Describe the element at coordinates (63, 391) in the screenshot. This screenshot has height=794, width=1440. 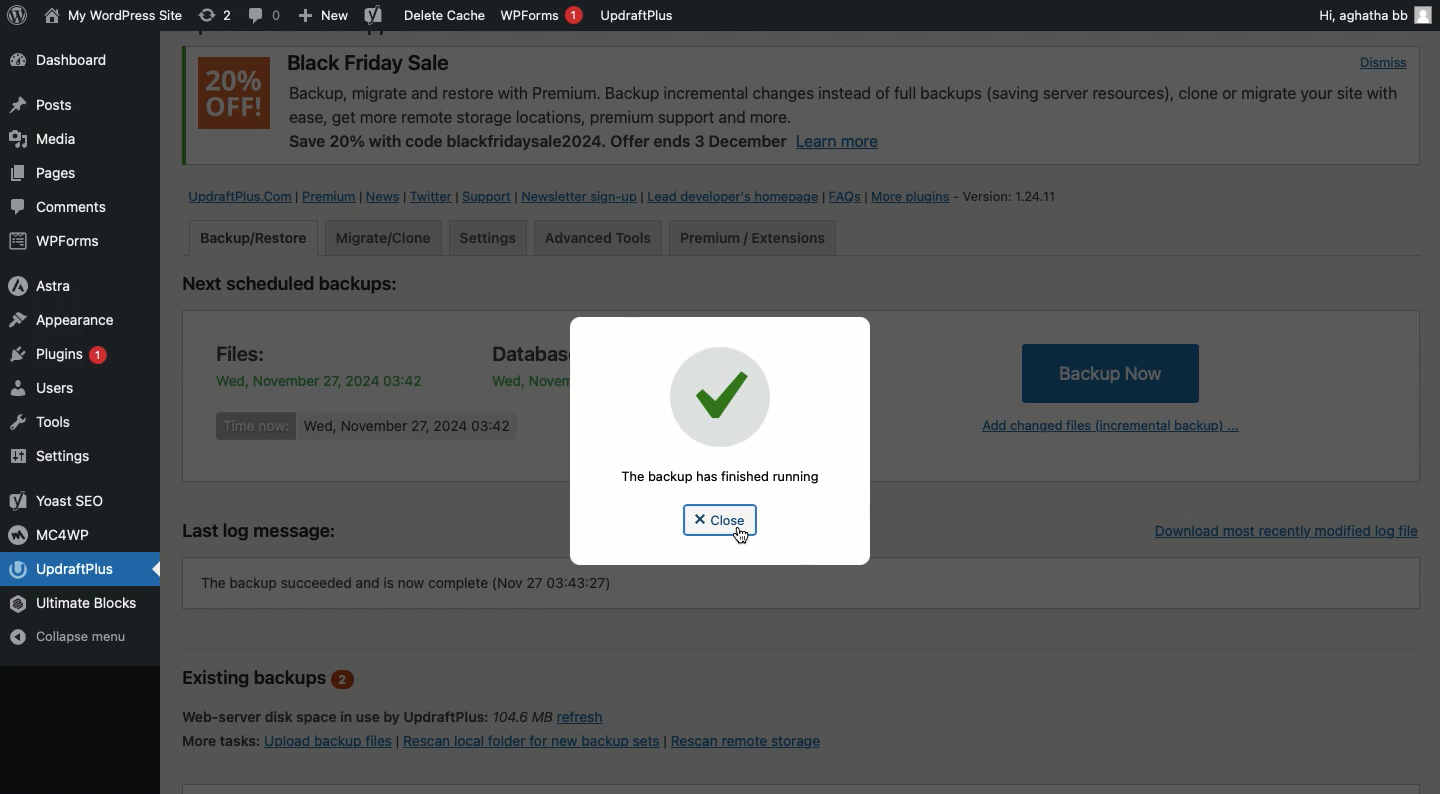
I see `Users` at that location.